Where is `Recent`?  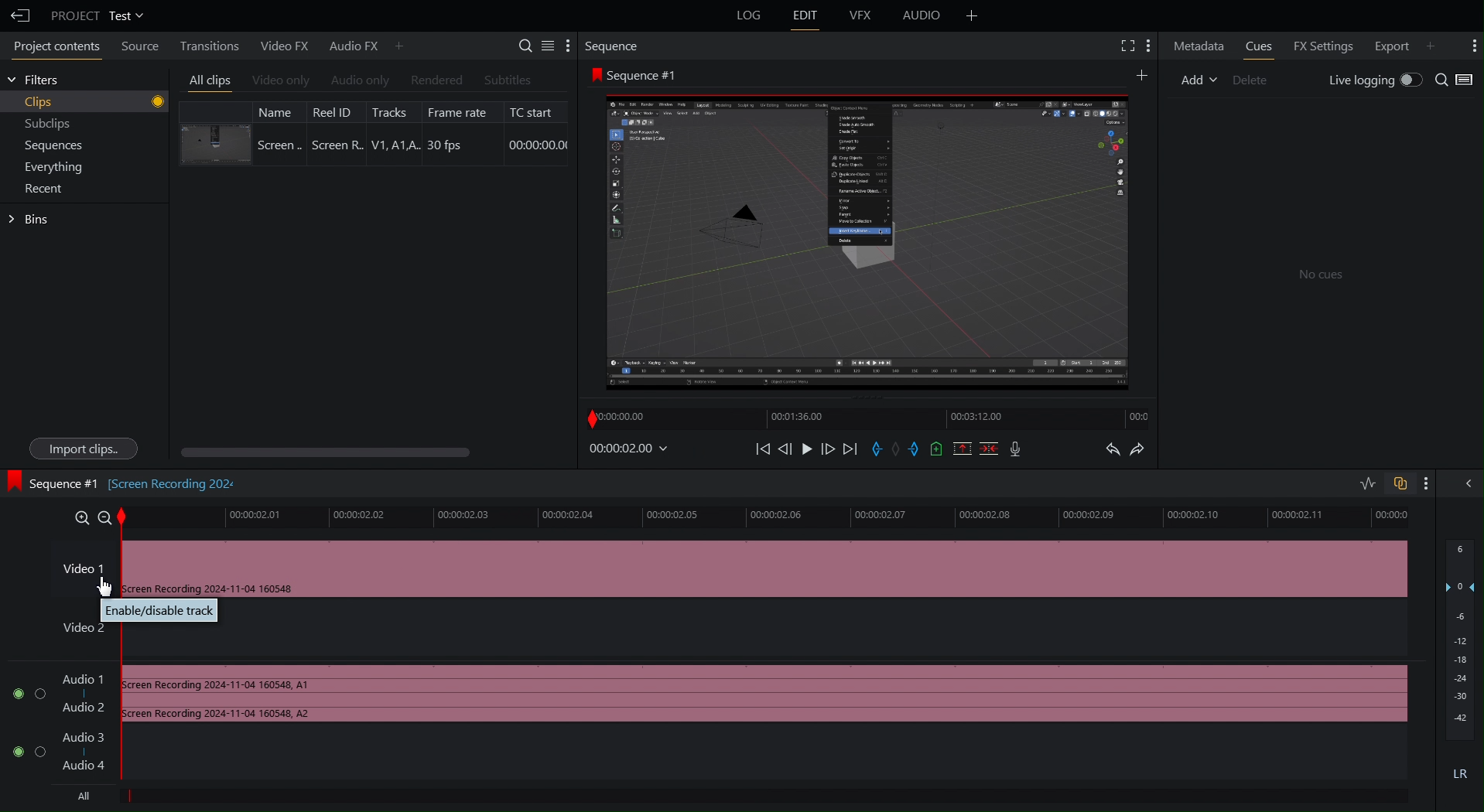 Recent is located at coordinates (40, 188).